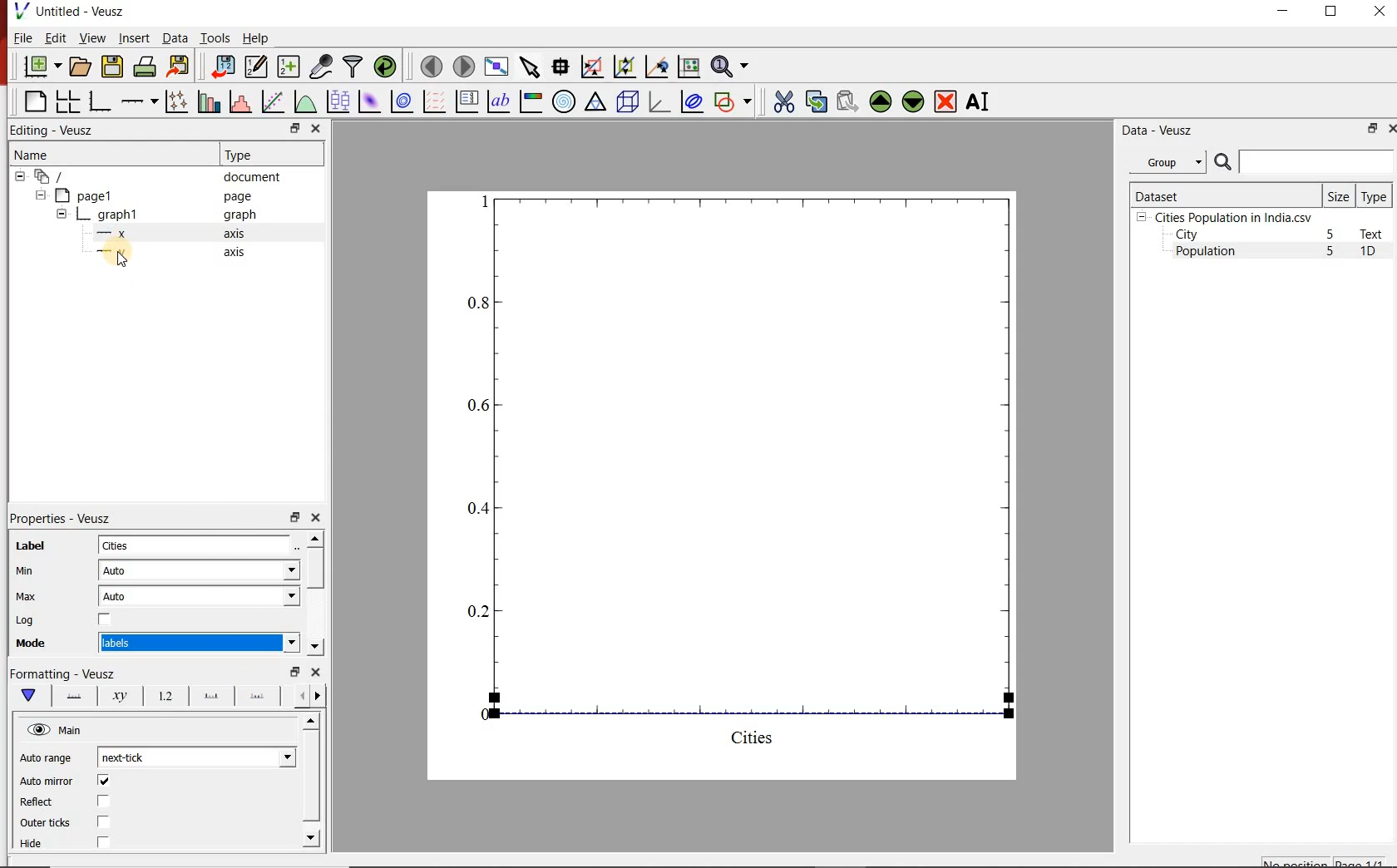 Image resolution: width=1397 pixels, height=868 pixels. What do you see at coordinates (529, 66) in the screenshot?
I see `select items from the graph or scroll` at bounding box center [529, 66].